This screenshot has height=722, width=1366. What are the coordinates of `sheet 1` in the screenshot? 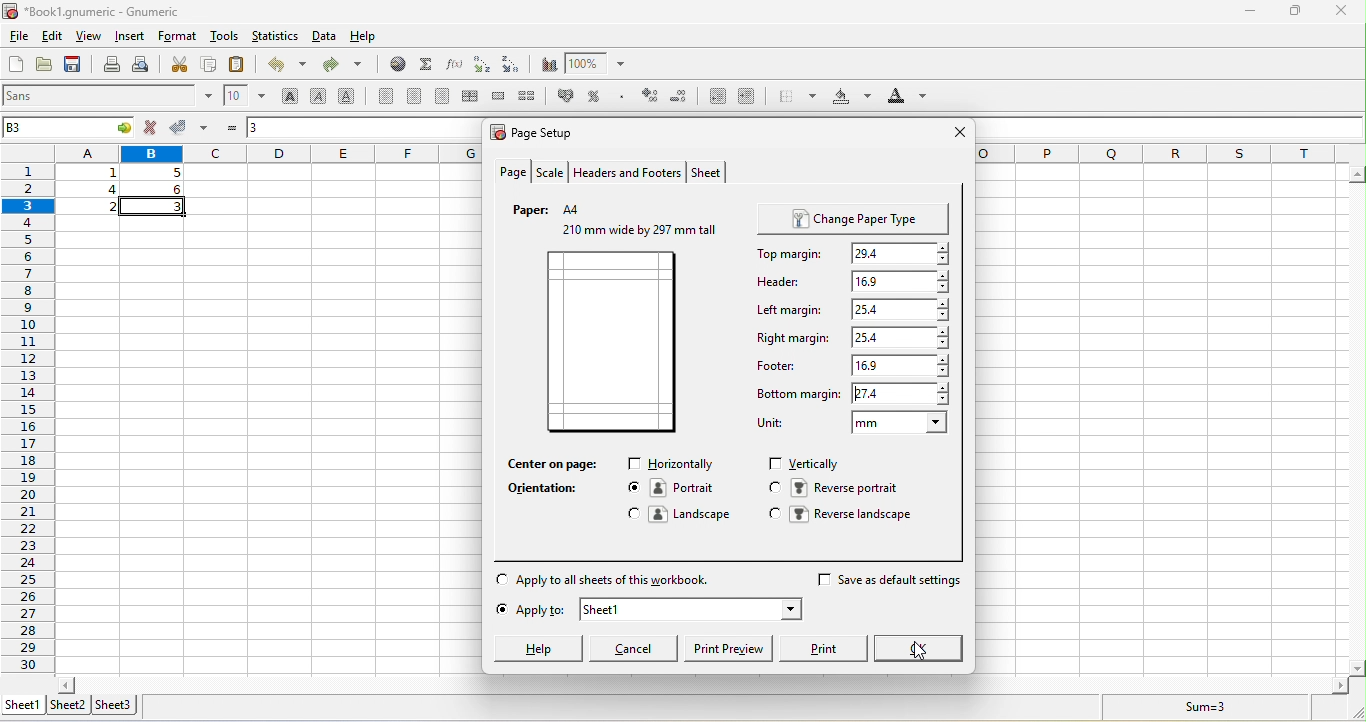 It's located at (21, 703).